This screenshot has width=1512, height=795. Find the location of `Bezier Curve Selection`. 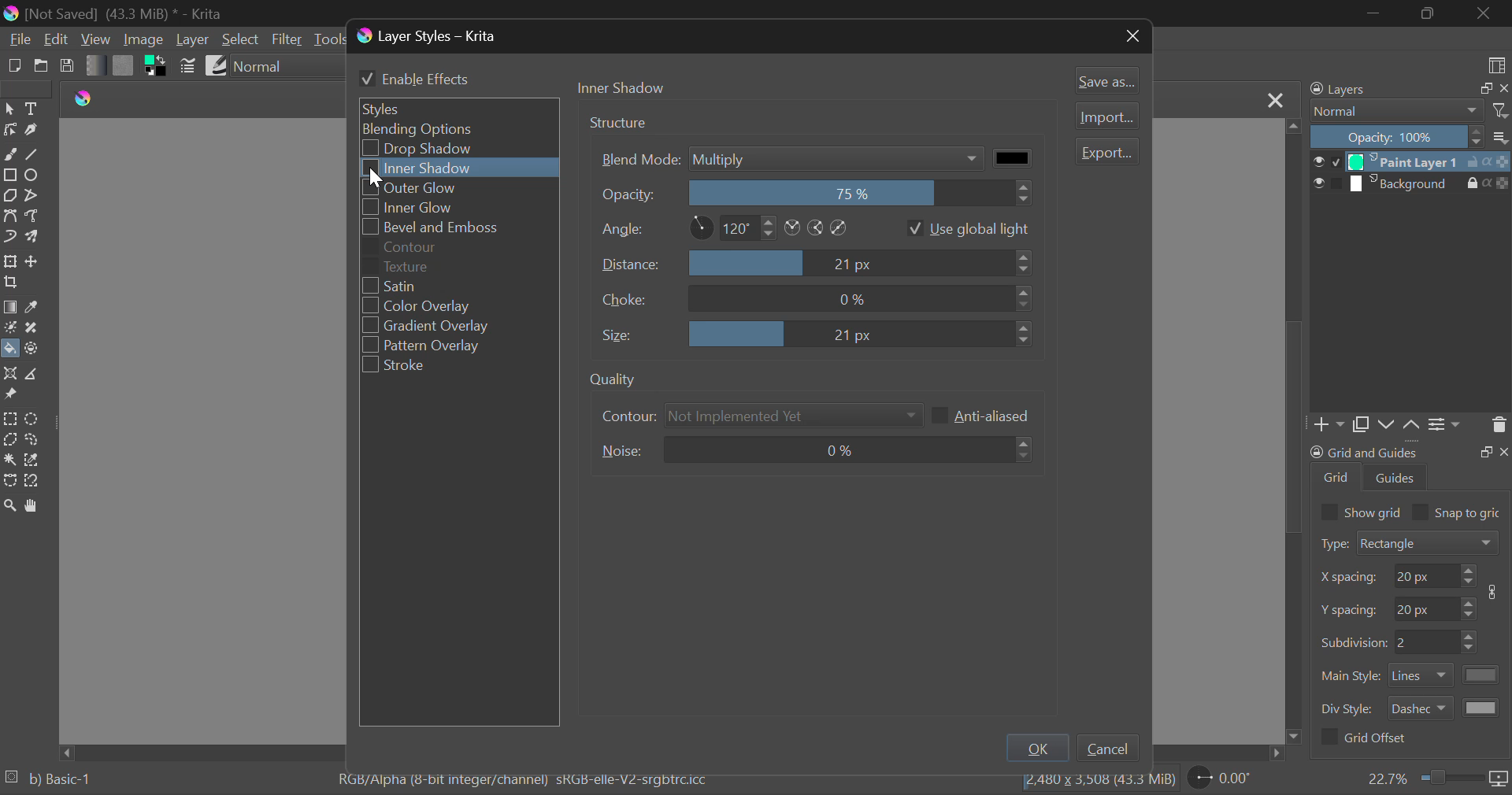

Bezier Curve Selection is located at coordinates (9, 482).